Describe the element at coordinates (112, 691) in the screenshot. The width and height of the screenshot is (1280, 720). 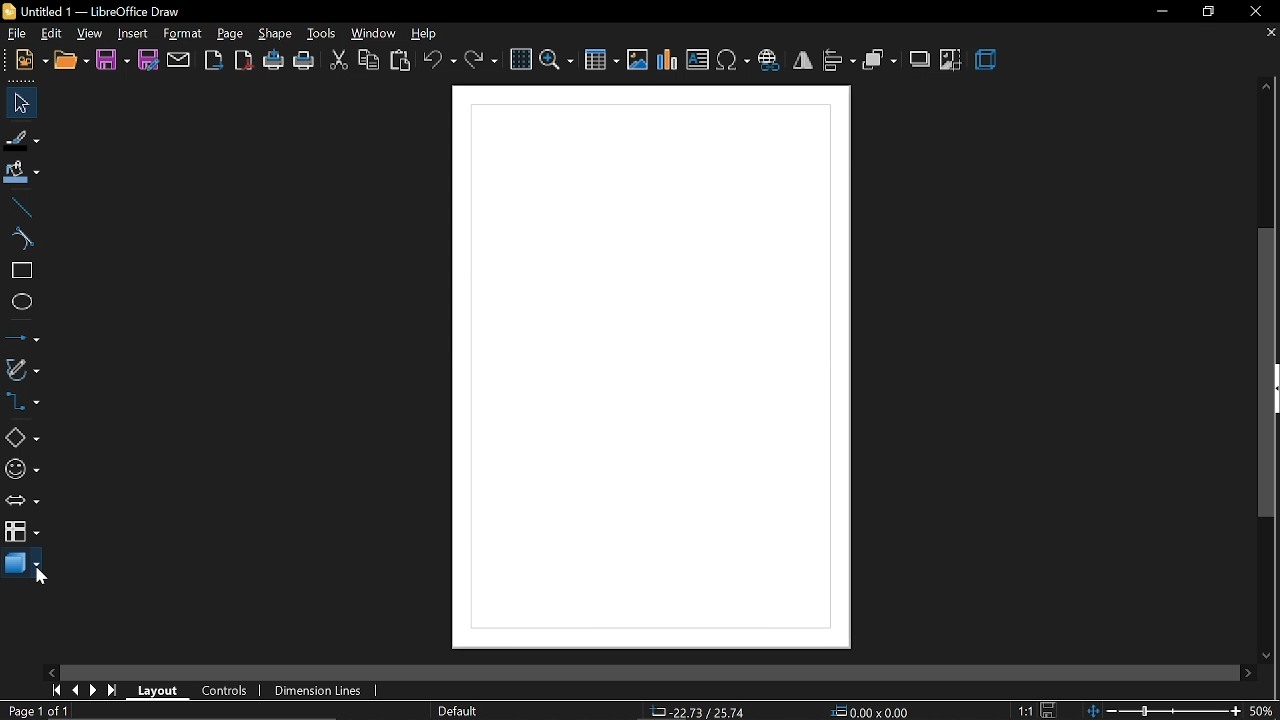
I see `go to last page` at that location.